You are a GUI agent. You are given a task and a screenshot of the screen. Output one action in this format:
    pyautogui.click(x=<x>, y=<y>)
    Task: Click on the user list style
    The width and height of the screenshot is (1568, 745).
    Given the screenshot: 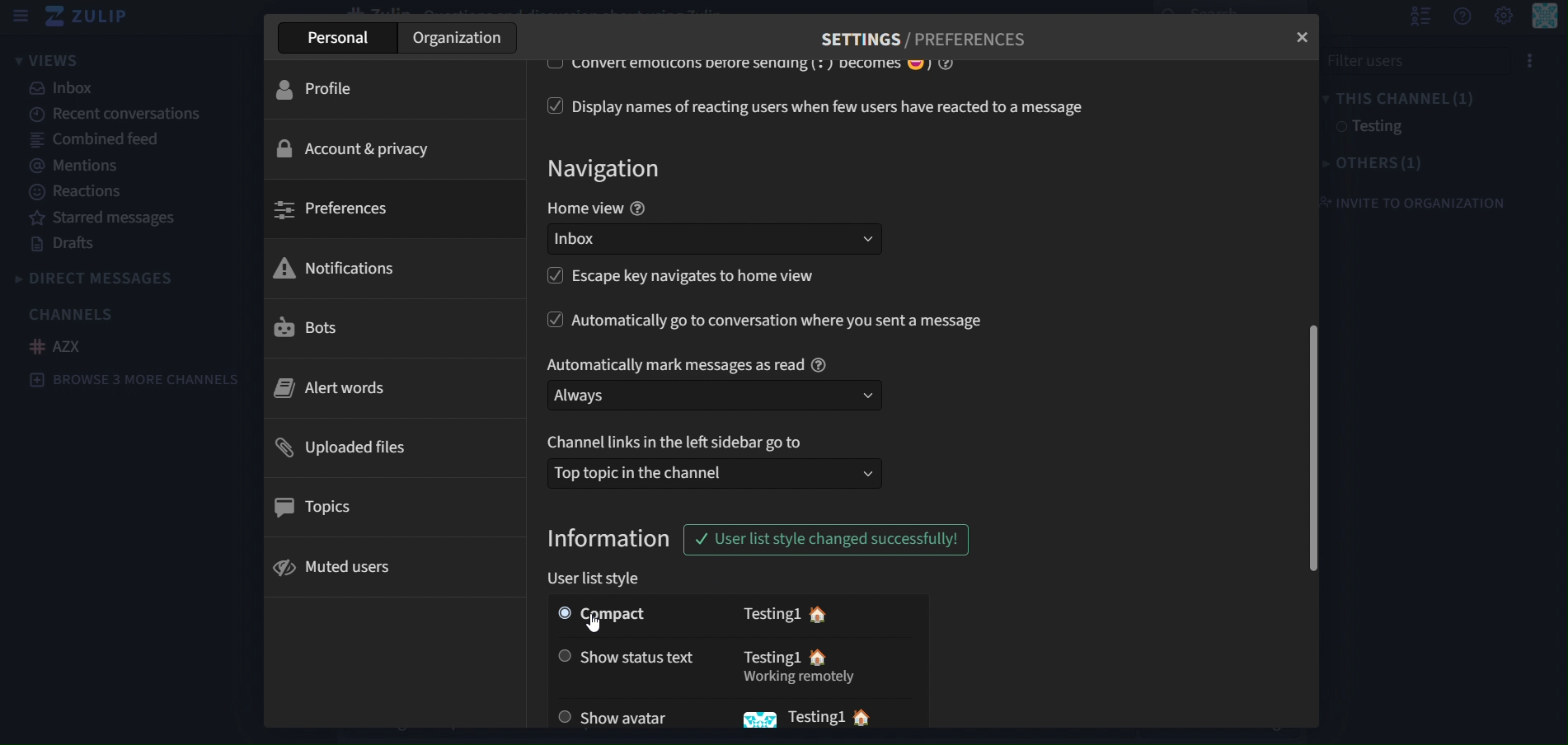 What is the action you would take?
    pyautogui.click(x=602, y=579)
    